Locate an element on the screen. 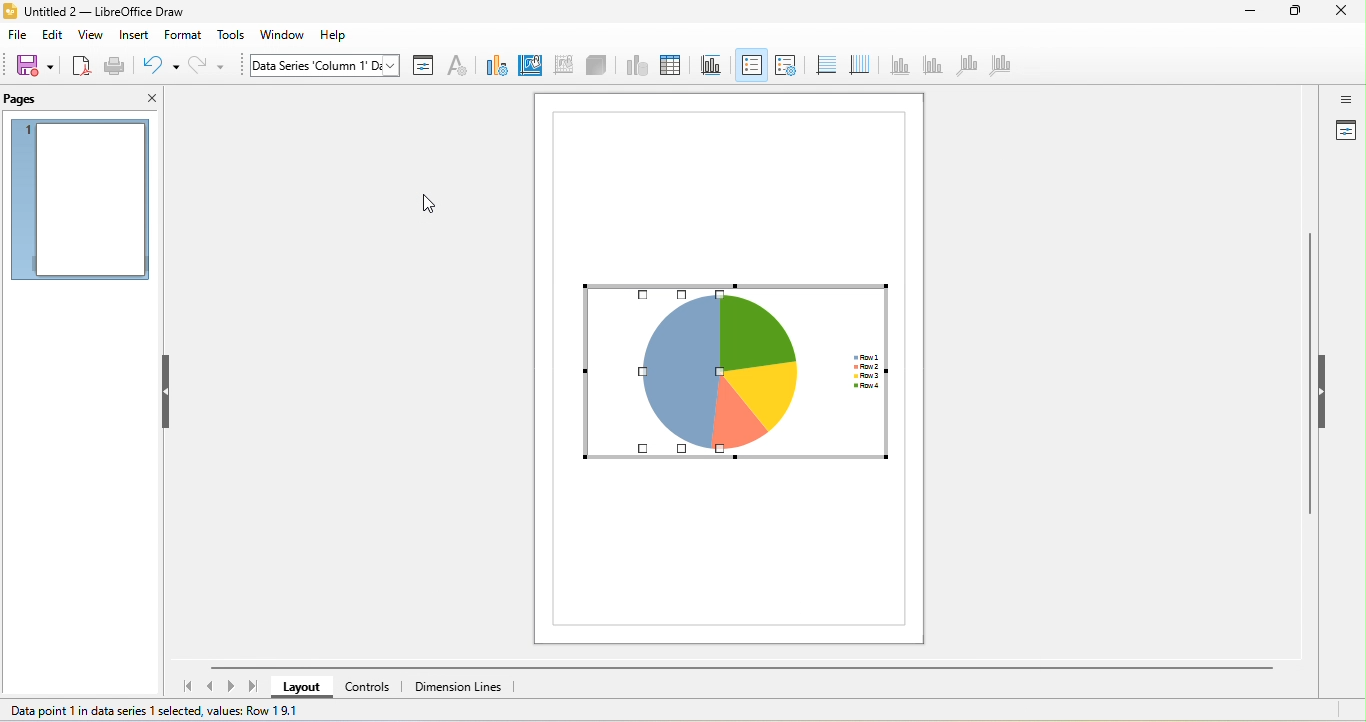  tools is located at coordinates (232, 36).